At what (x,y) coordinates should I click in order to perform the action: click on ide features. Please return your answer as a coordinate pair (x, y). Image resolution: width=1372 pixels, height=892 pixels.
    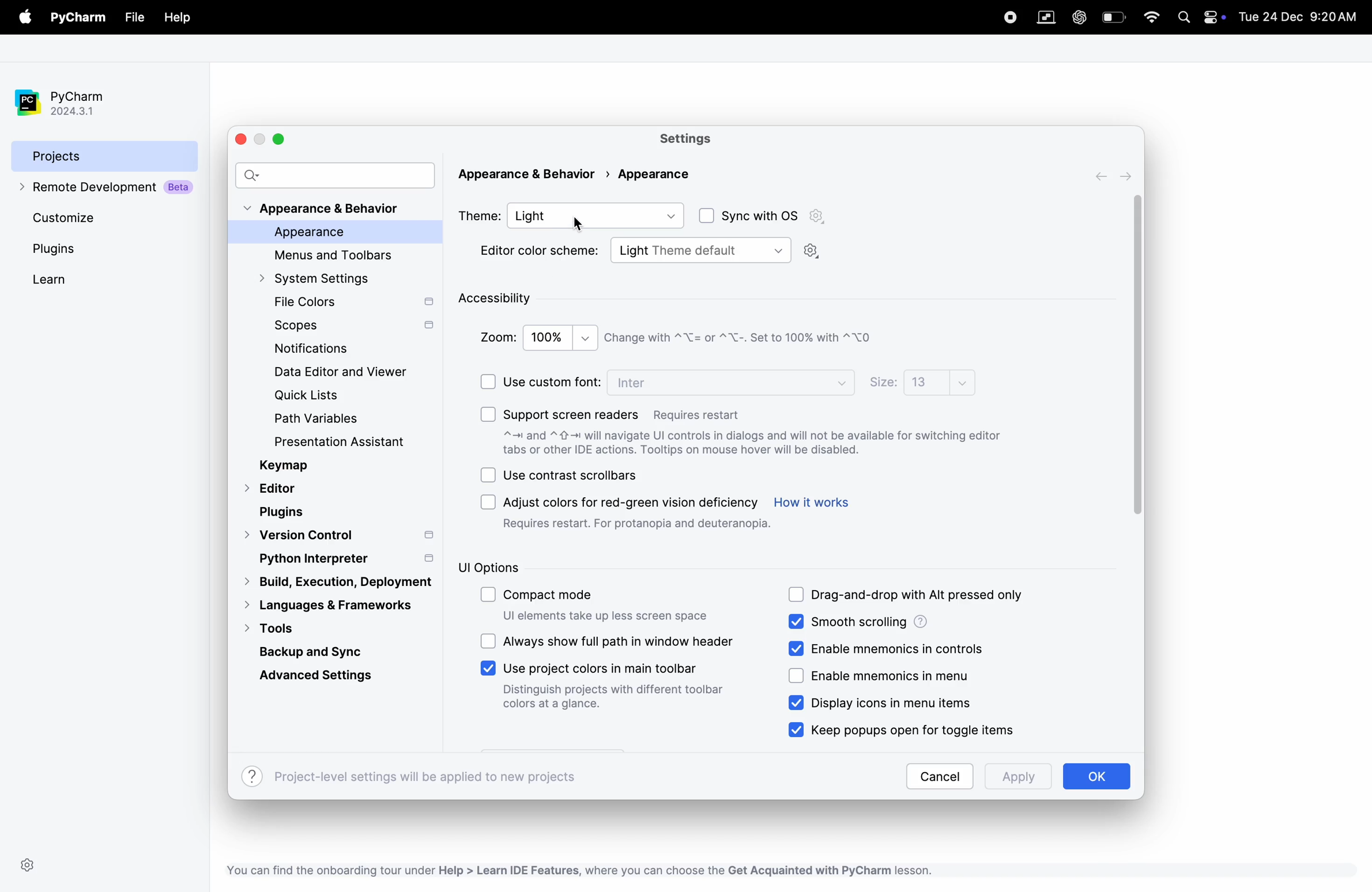
    Looking at the image, I should click on (576, 870).